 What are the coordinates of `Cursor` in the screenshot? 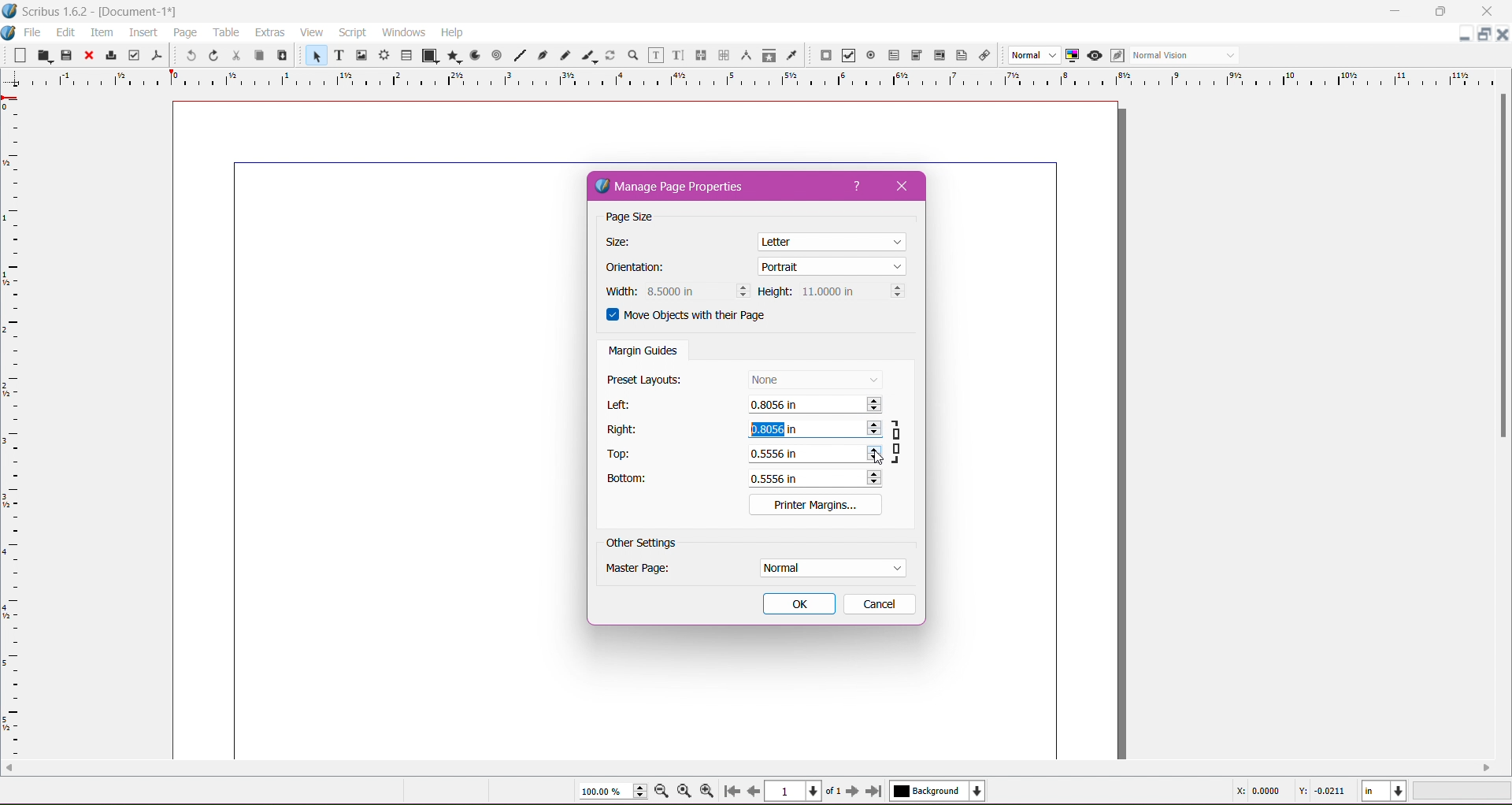 It's located at (874, 457).